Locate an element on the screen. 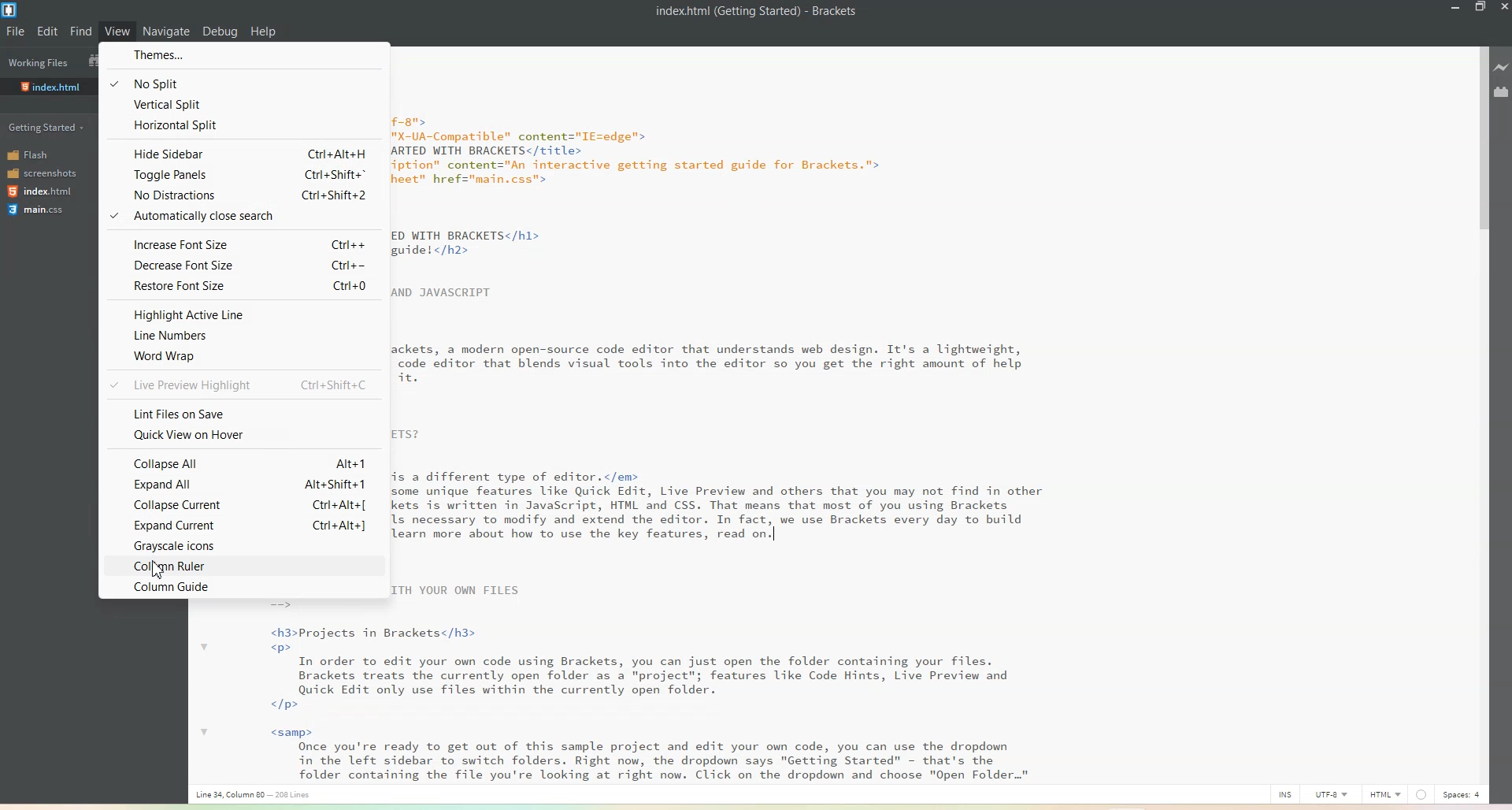 This screenshot has height=810, width=1512. Text 2 is located at coordinates (757, 10).